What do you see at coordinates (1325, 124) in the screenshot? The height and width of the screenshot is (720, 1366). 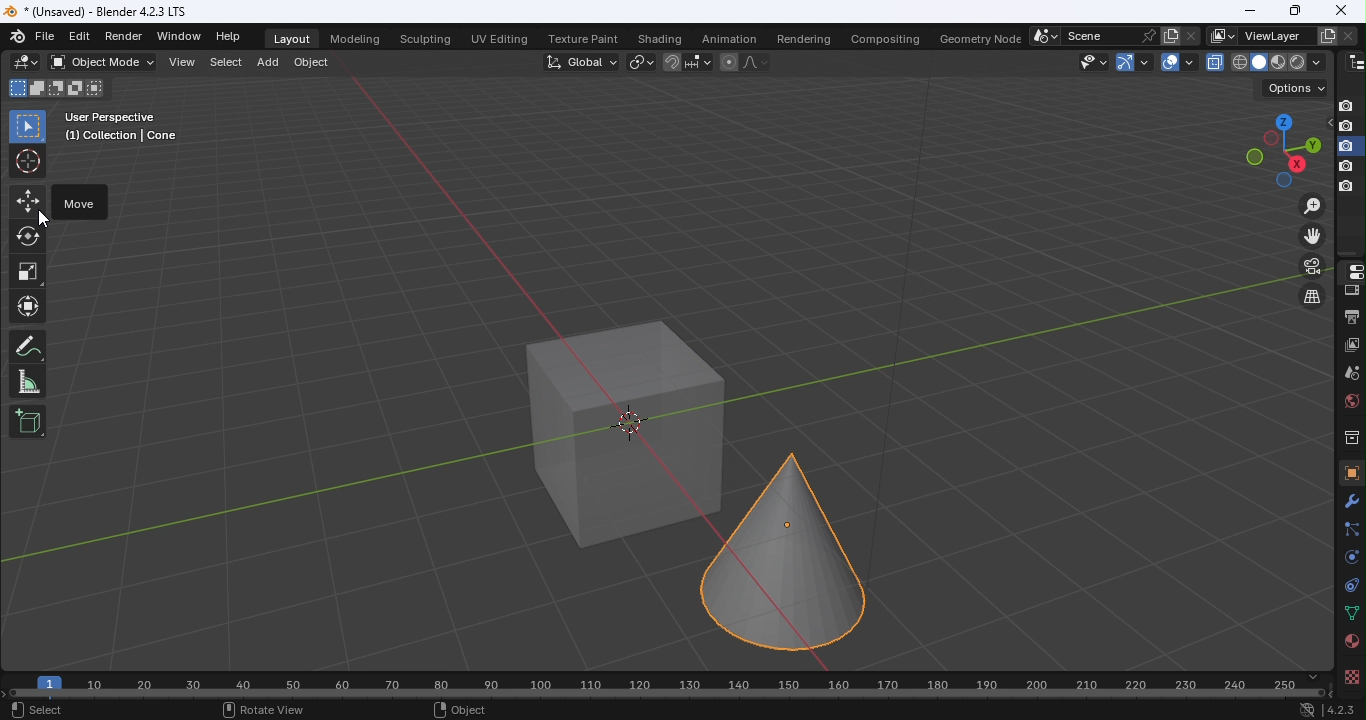 I see `Hide in viewpoint` at bounding box center [1325, 124].